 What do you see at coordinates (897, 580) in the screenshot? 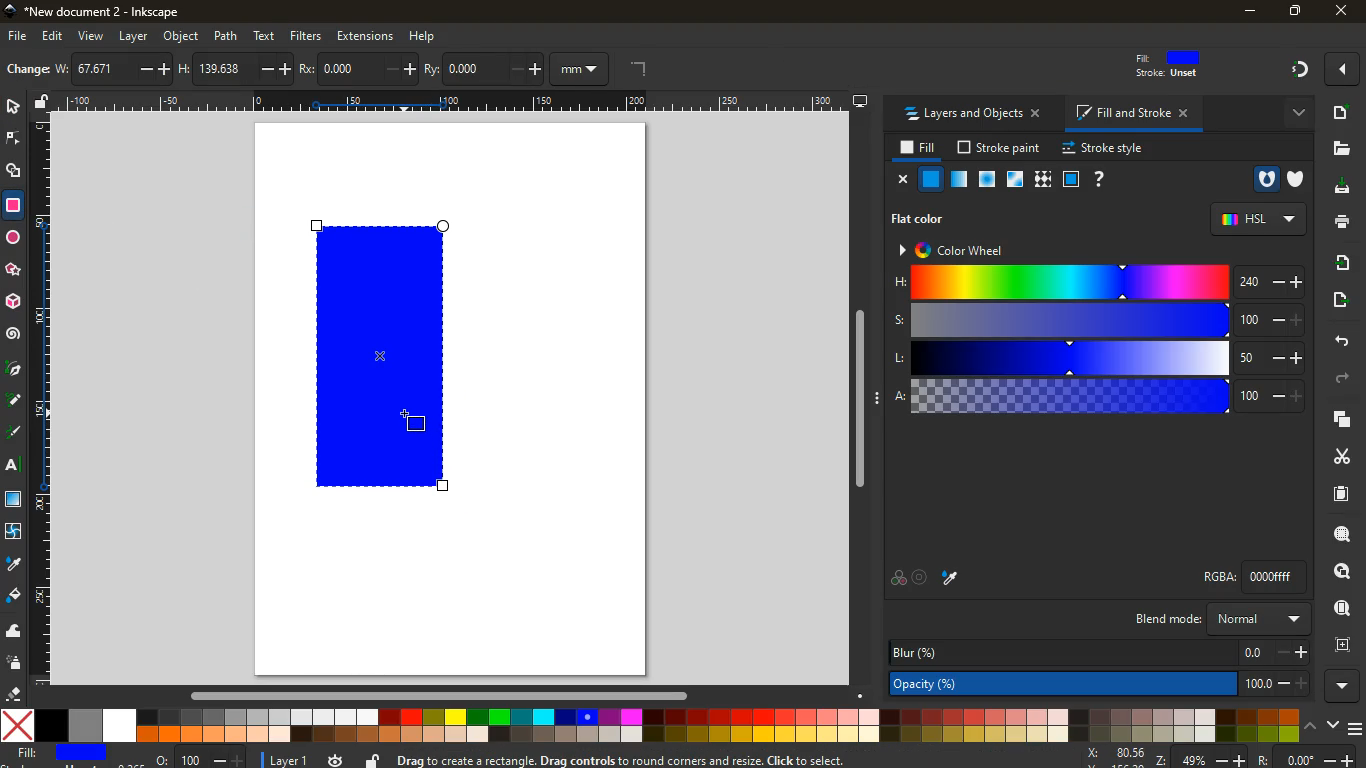
I see `palette` at bounding box center [897, 580].